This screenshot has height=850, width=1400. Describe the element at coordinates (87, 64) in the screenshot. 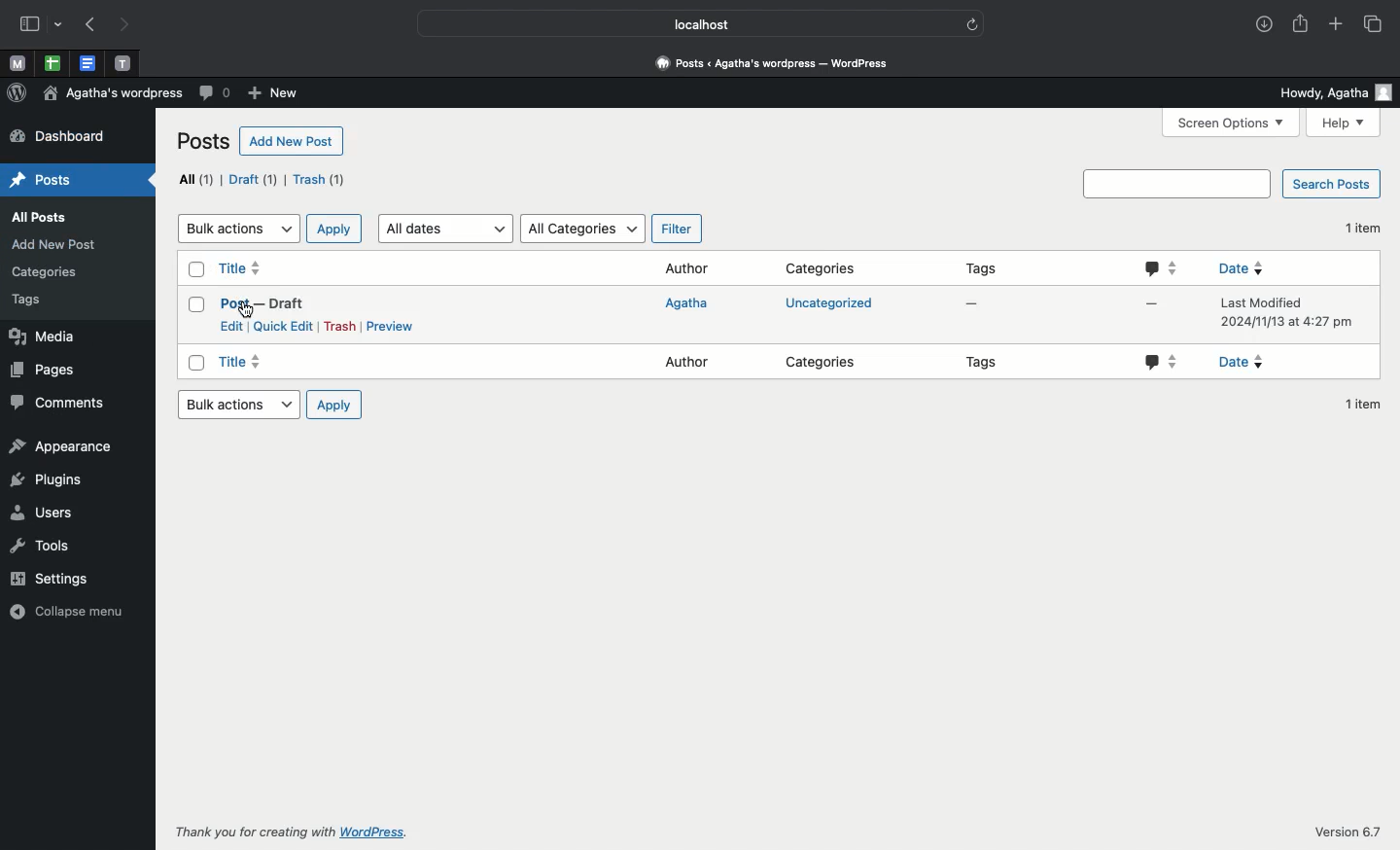

I see `Document` at that location.